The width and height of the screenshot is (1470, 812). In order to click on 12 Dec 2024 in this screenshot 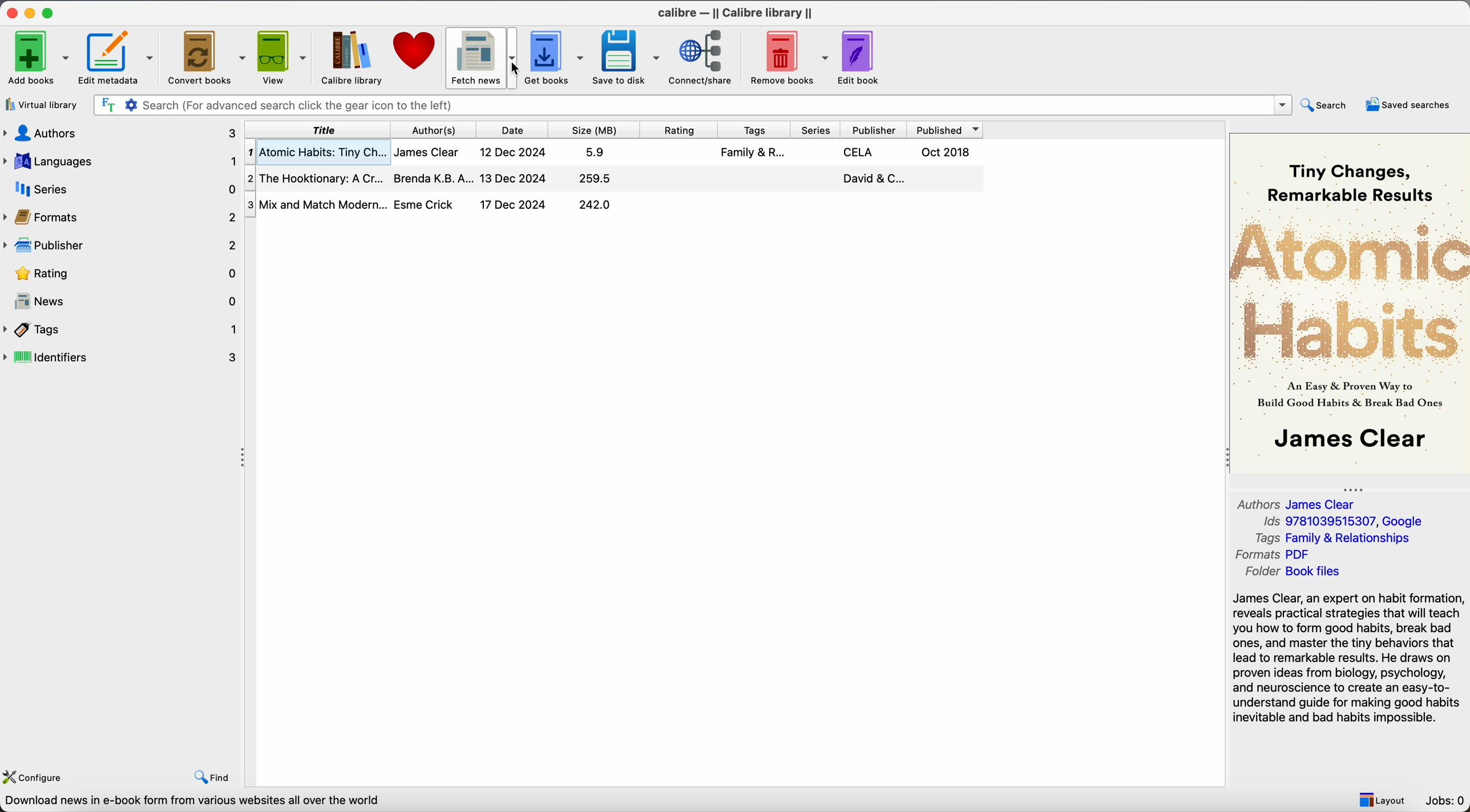, I will do `click(514, 152)`.